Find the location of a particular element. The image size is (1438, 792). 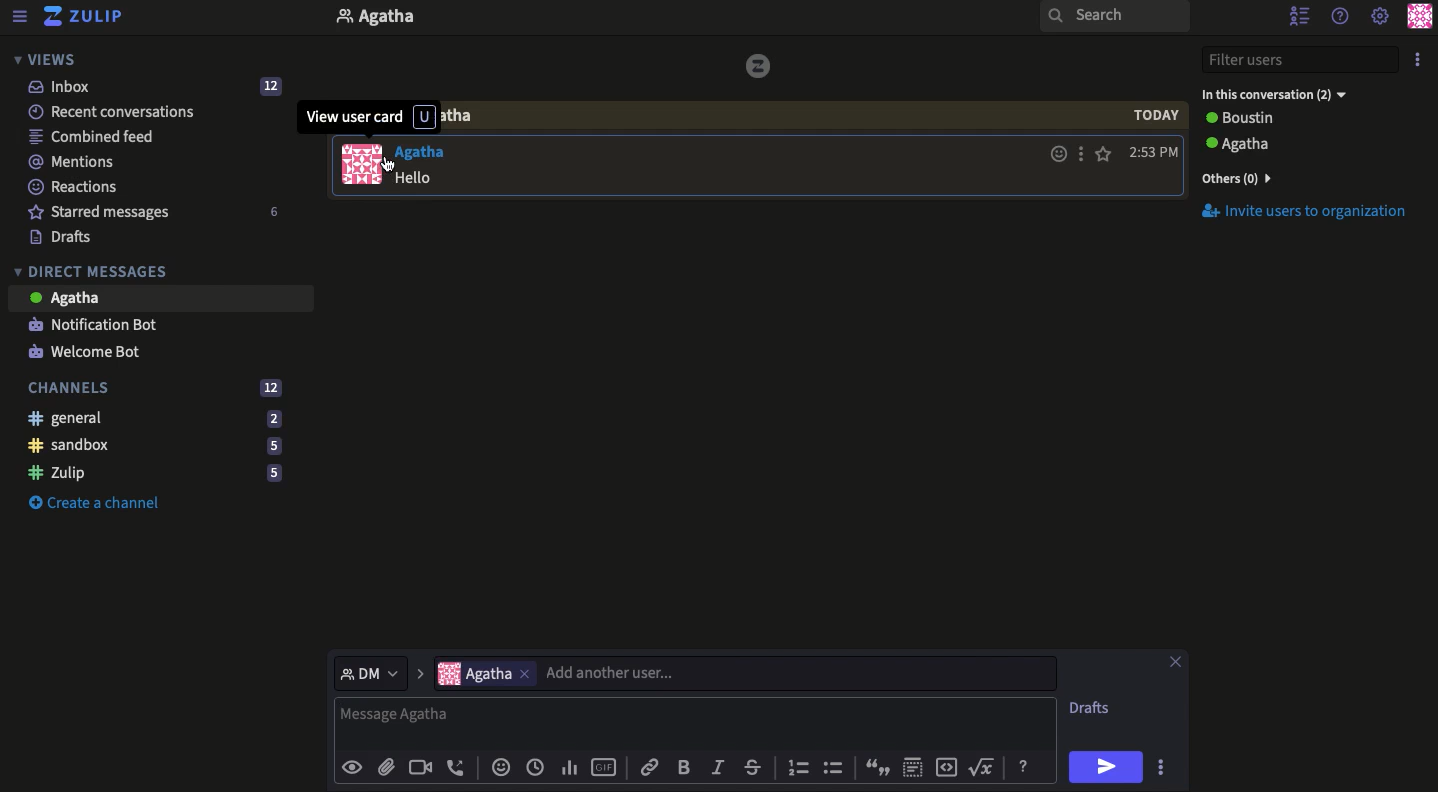

View user card is located at coordinates (372, 117).